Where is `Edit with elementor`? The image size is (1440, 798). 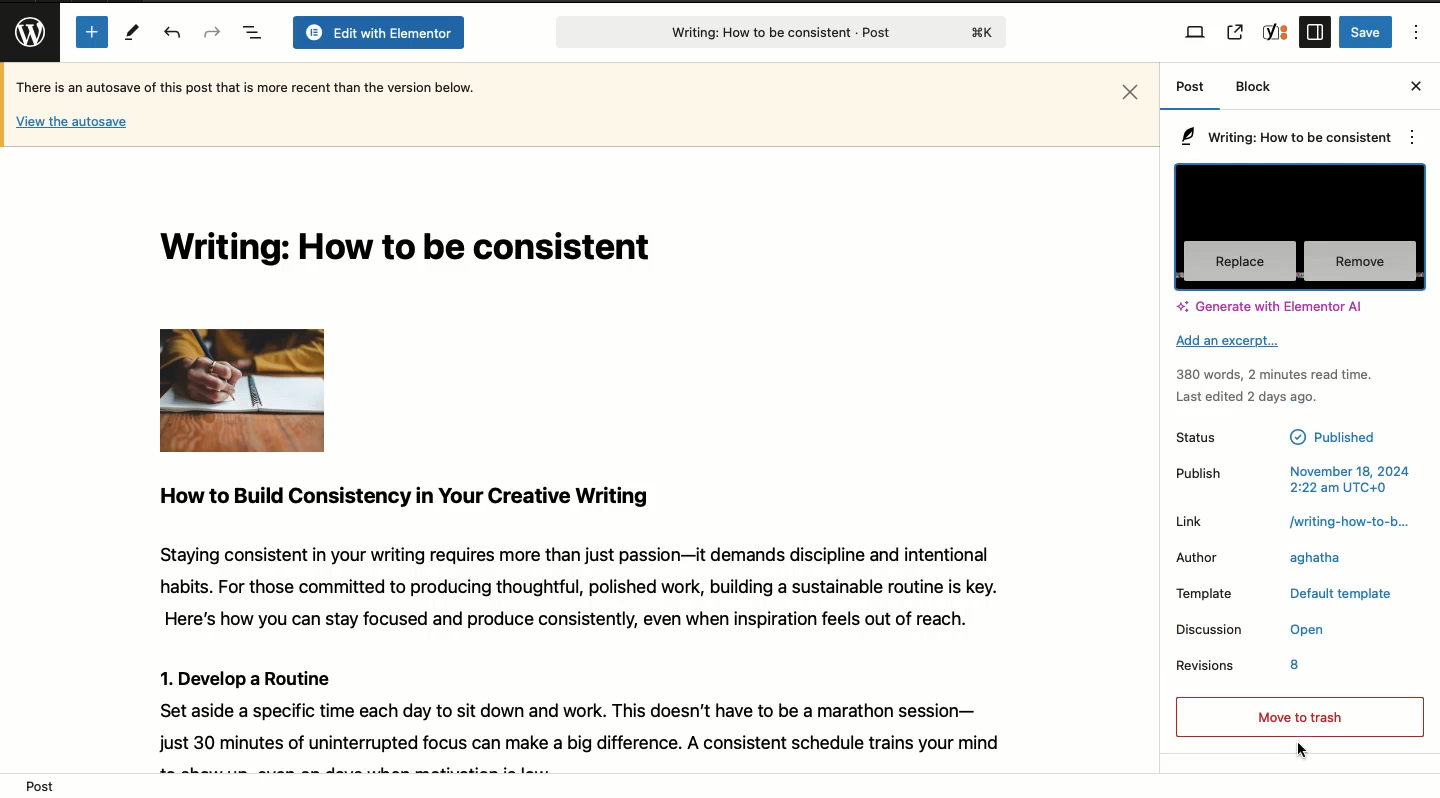 Edit with elementor is located at coordinates (378, 34).